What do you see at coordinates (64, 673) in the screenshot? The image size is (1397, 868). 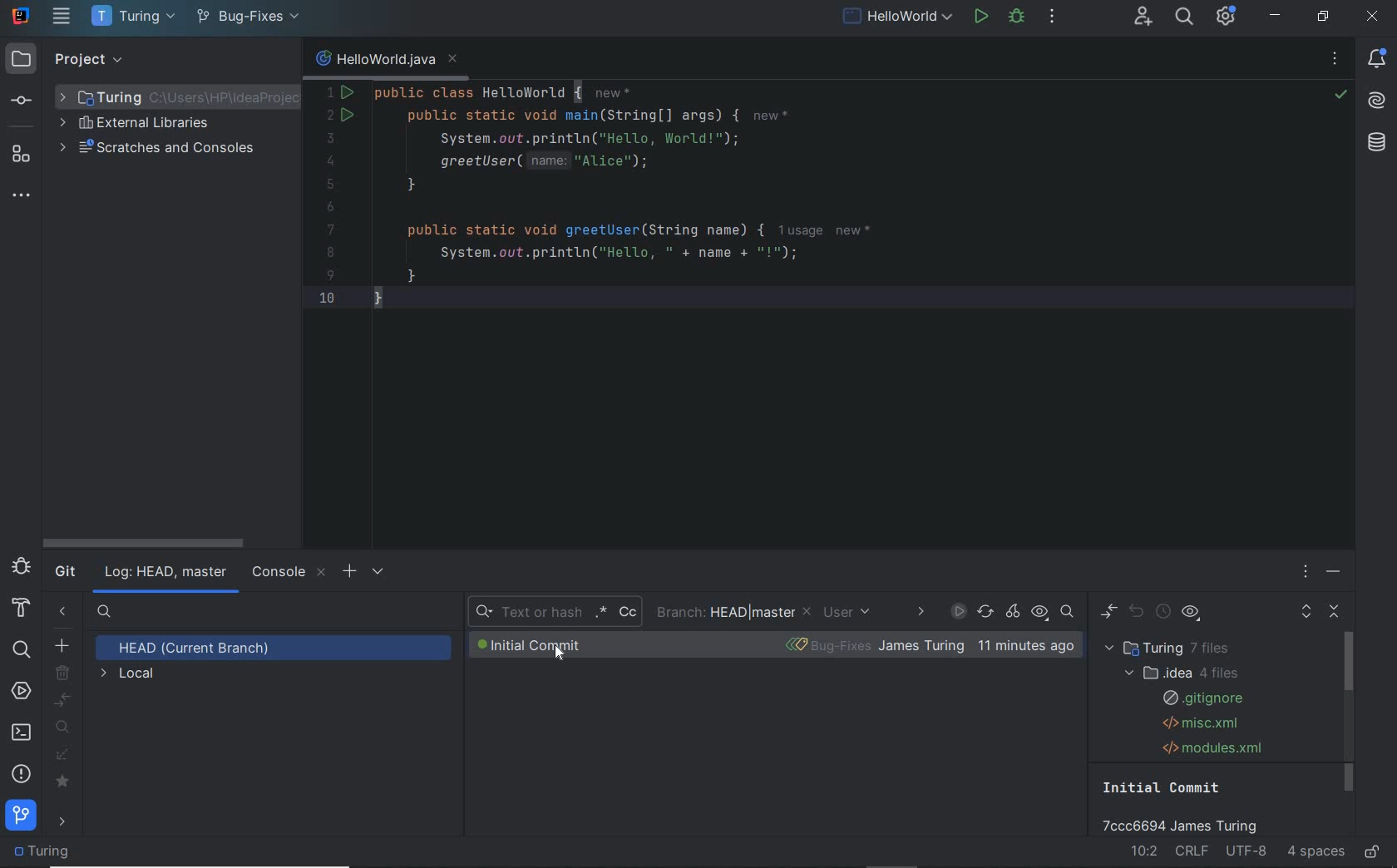 I see `delete branch` at bounding box center [64, 673].